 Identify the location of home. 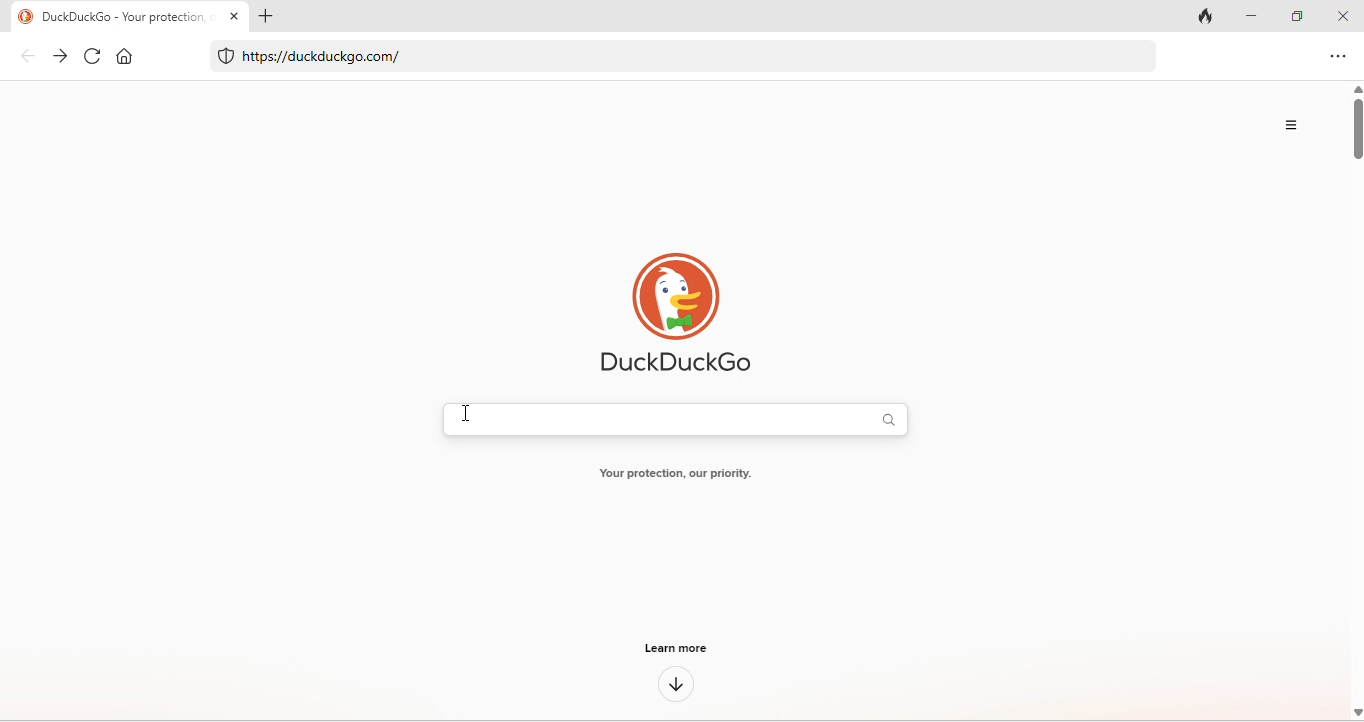
(127, 57).